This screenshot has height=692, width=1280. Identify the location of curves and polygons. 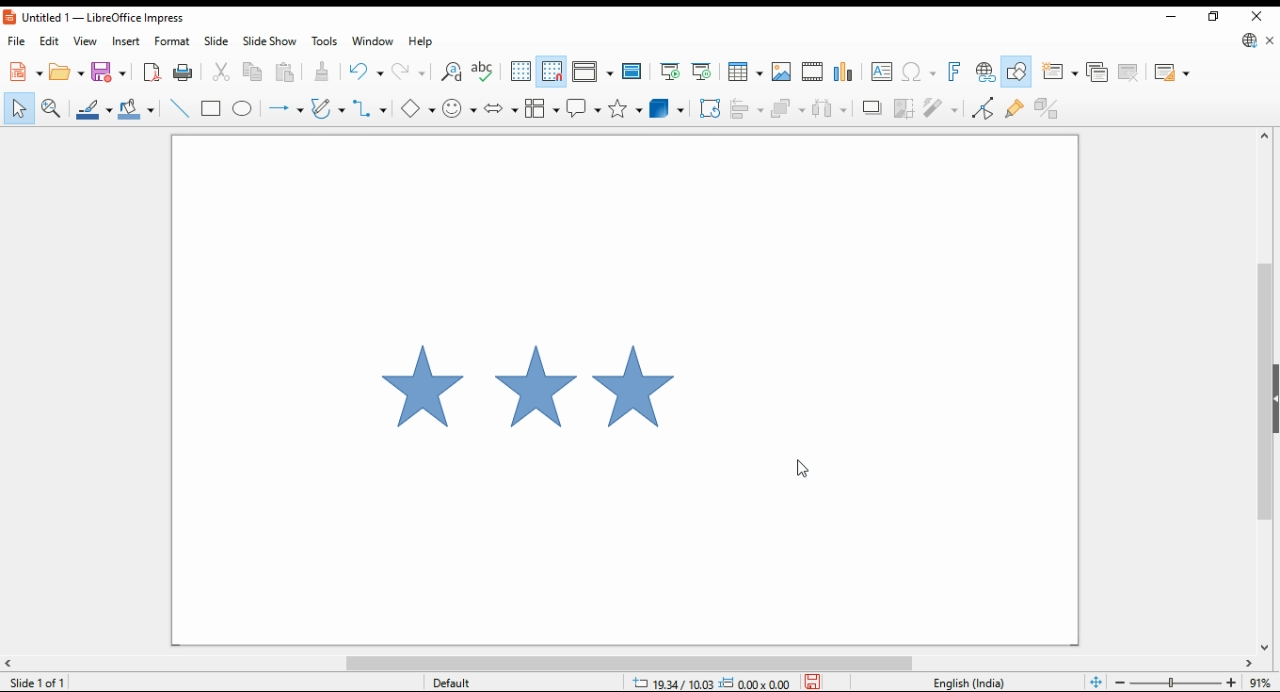
(328, 107).